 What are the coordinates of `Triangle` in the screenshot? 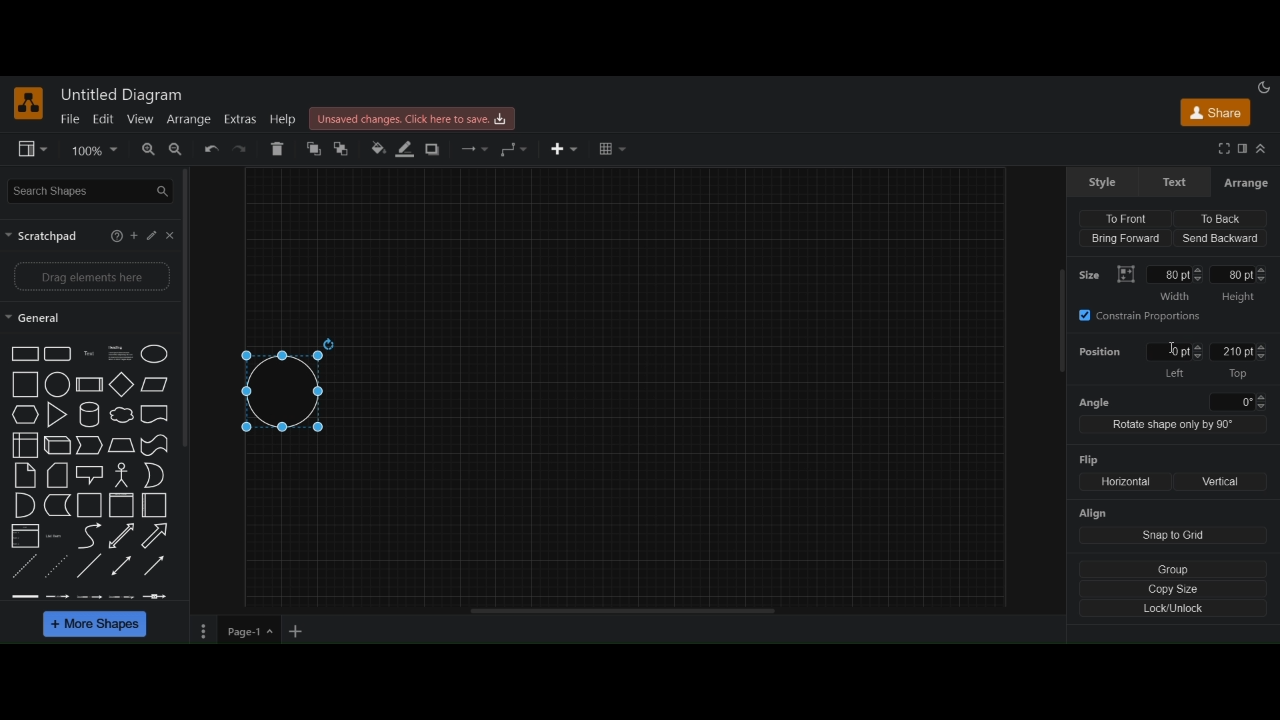 It's located at (58, 416).